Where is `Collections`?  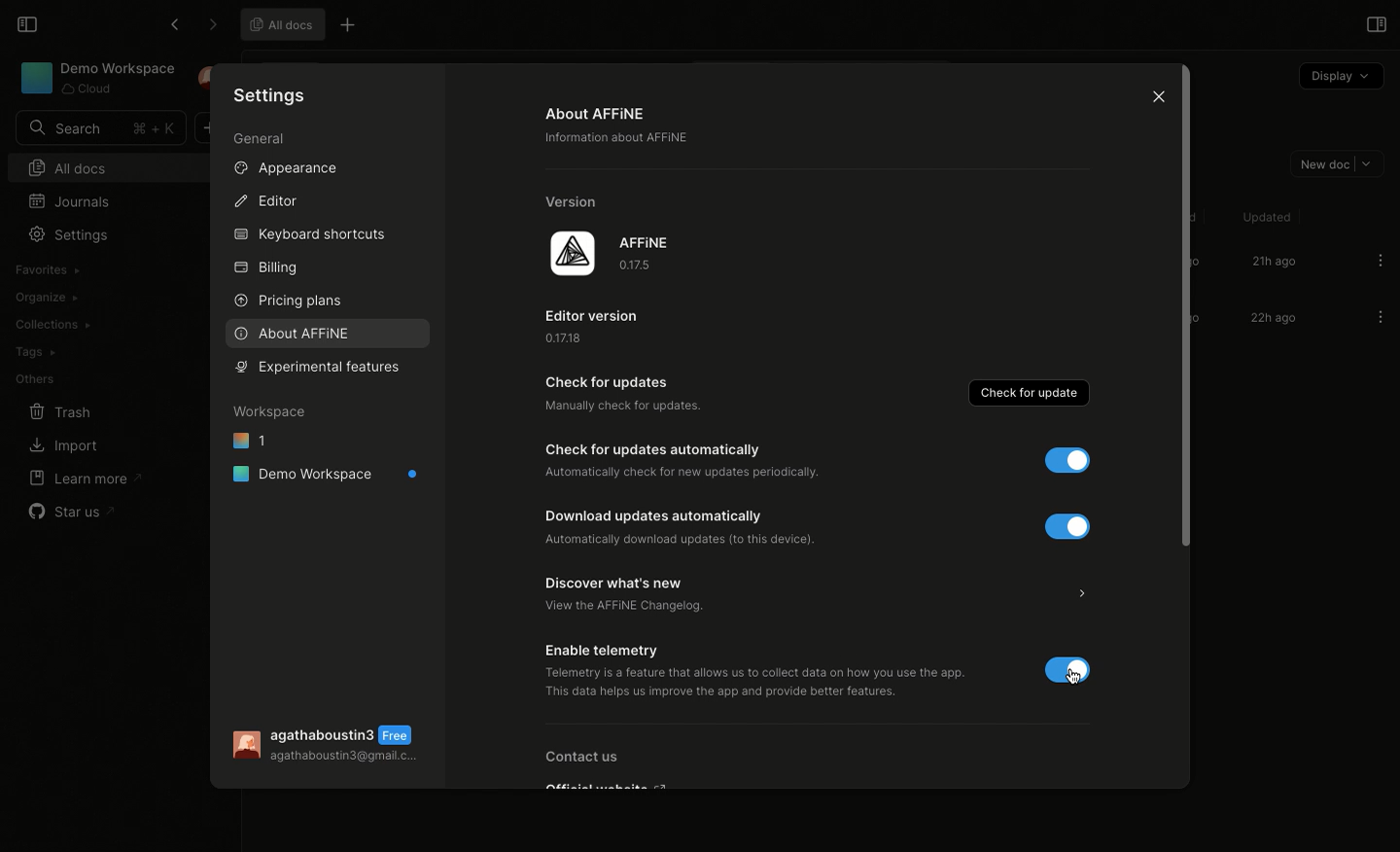
Collections is located at coordinates (52, 325).